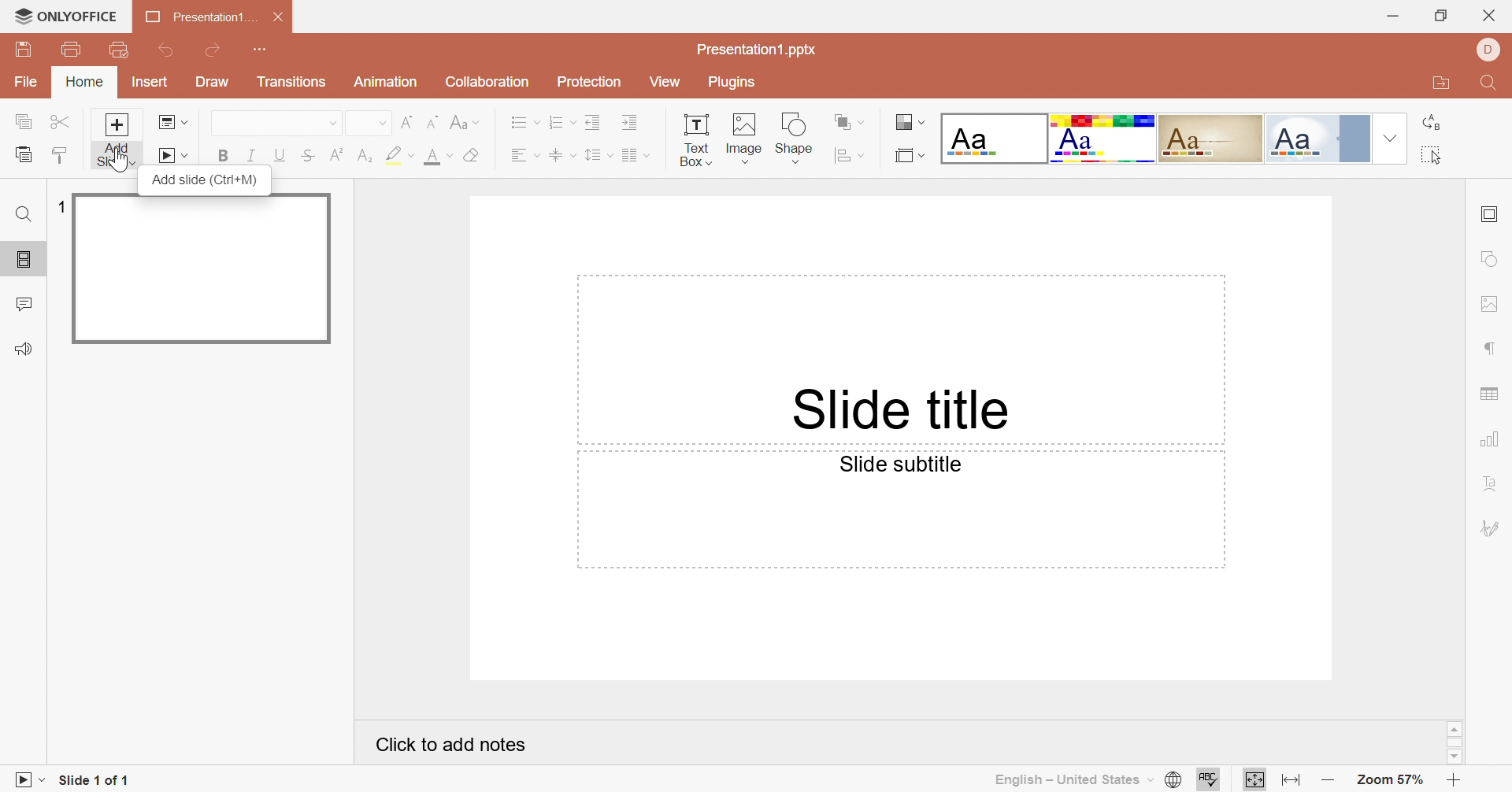 The width and height of the screenshot is (1512, 792). What do you see at coordinates (72, 46) in the screenshot?
I see `Print files` at bounding box center [72, 46].